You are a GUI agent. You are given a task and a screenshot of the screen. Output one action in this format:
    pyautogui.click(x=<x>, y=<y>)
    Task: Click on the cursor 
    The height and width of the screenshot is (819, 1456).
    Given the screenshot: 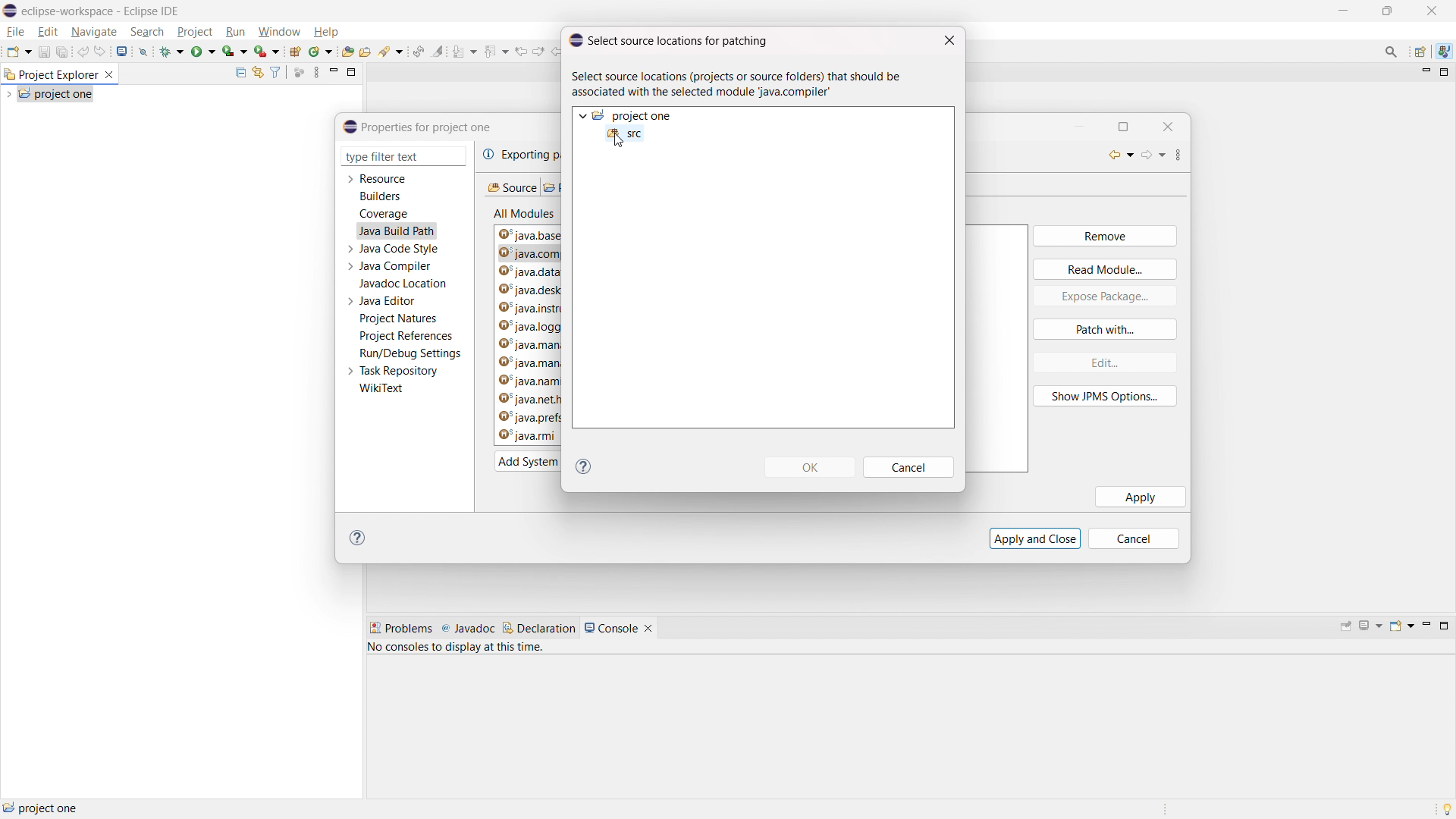 What is the action you would take?
    pyautogui.click(x=619, y=143)
    